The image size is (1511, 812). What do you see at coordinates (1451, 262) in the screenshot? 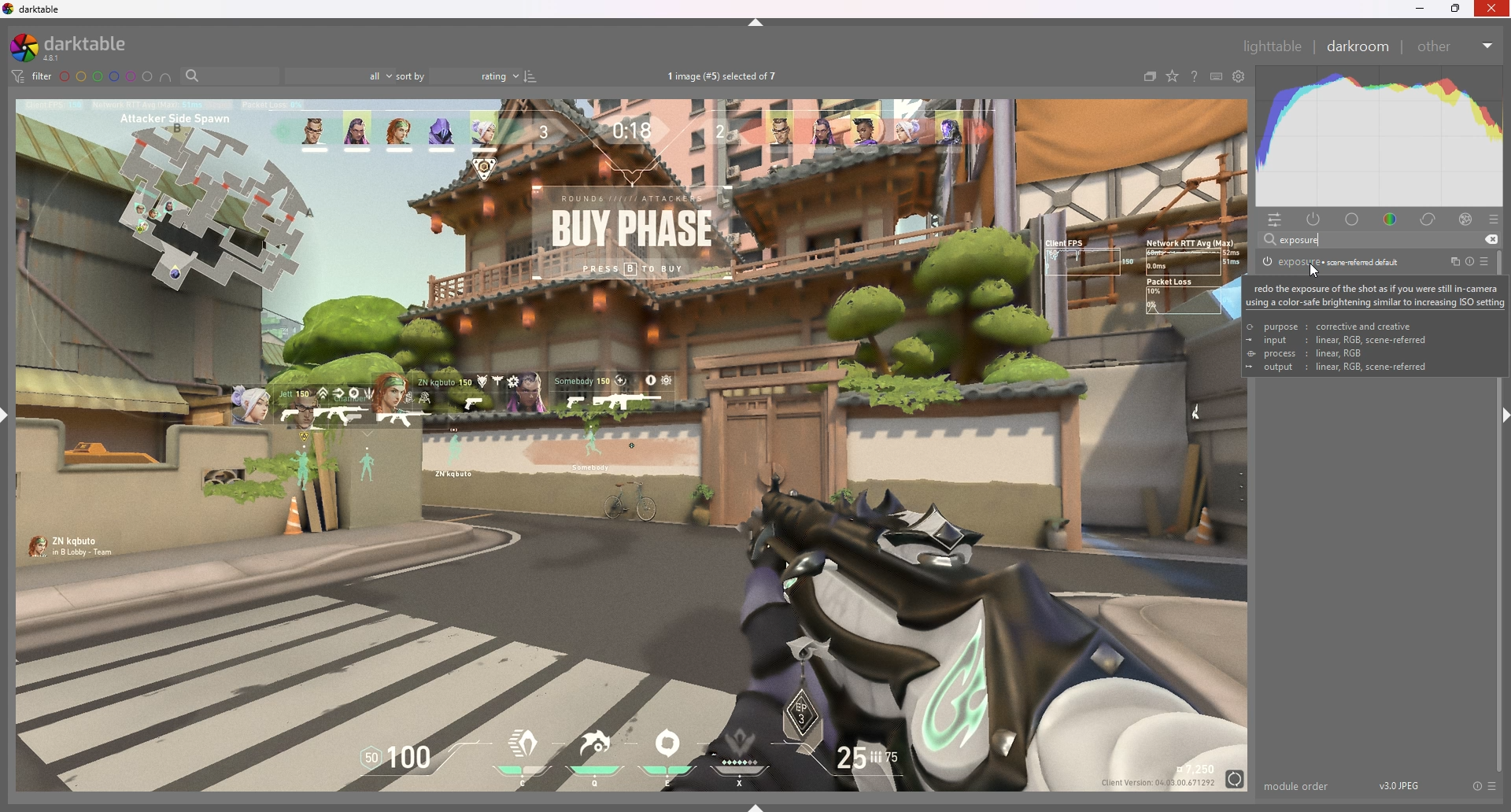
I see `multiple instances action` at bounding box center [1451, 262].